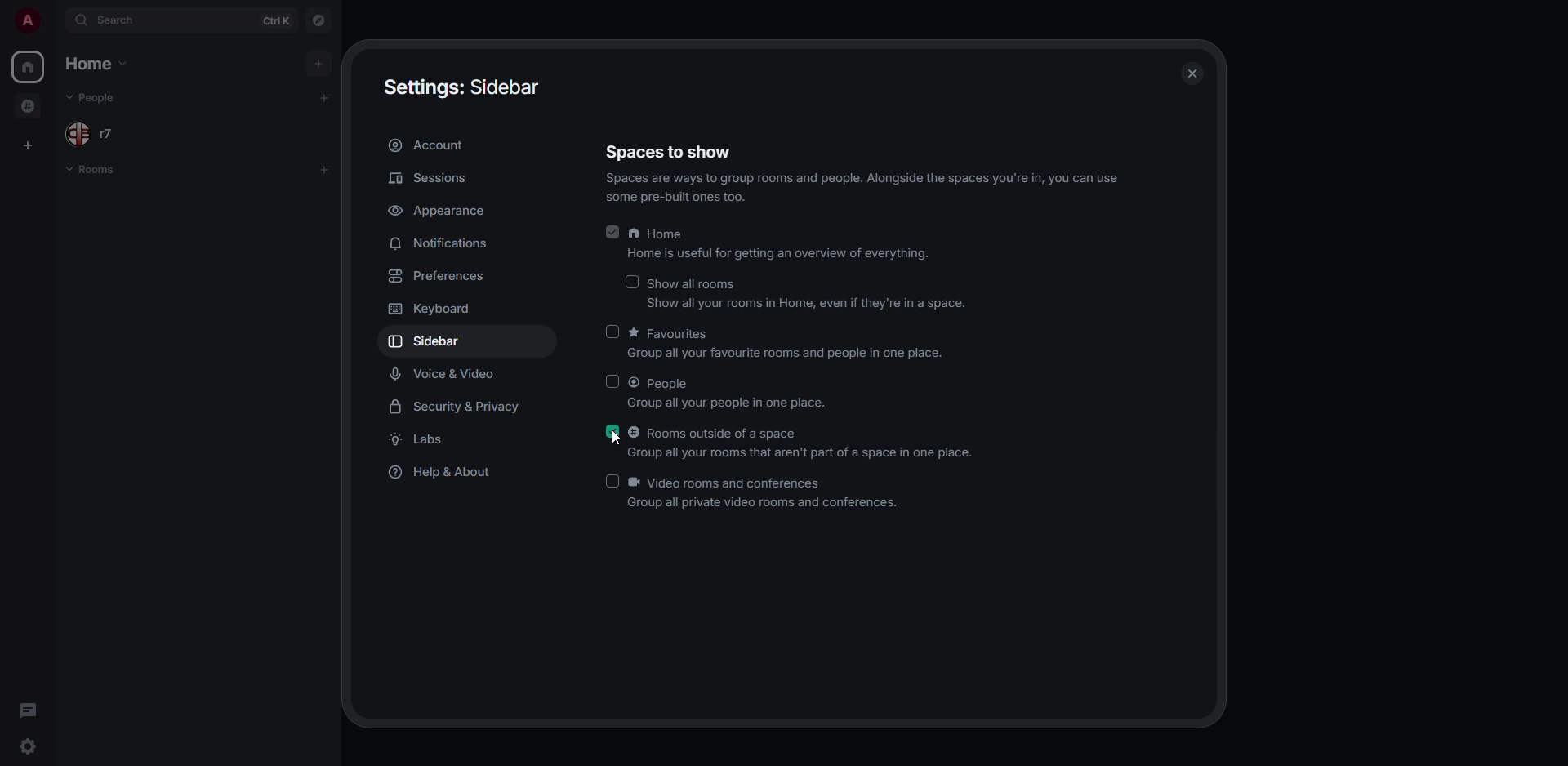 This screenshot has height=766, width=1568. Describe the element at coordinates (810, 295) in the screenshot. I see `show all rooms` at that location.